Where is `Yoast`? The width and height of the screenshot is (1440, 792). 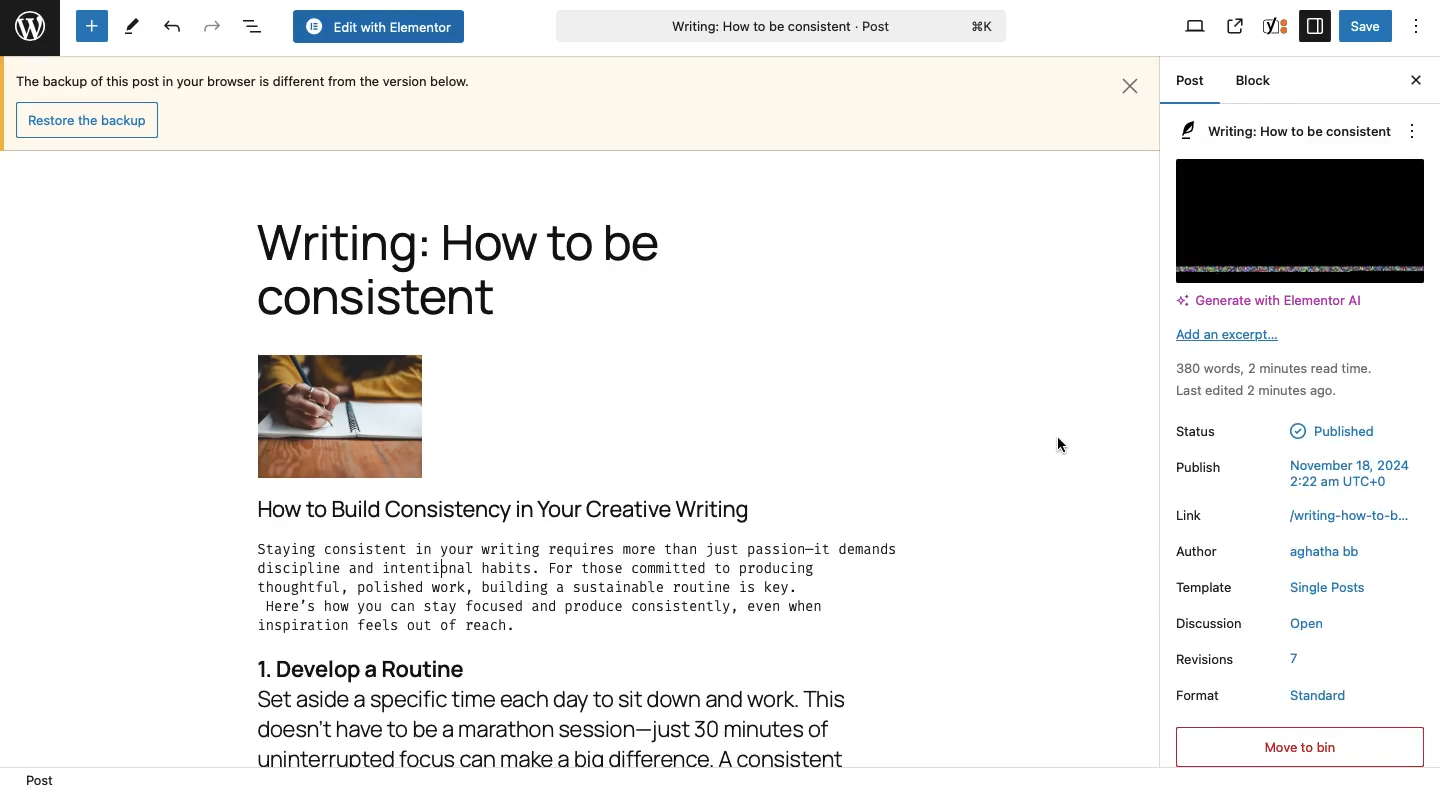 Yoast is located at coordinates (1276, 25).